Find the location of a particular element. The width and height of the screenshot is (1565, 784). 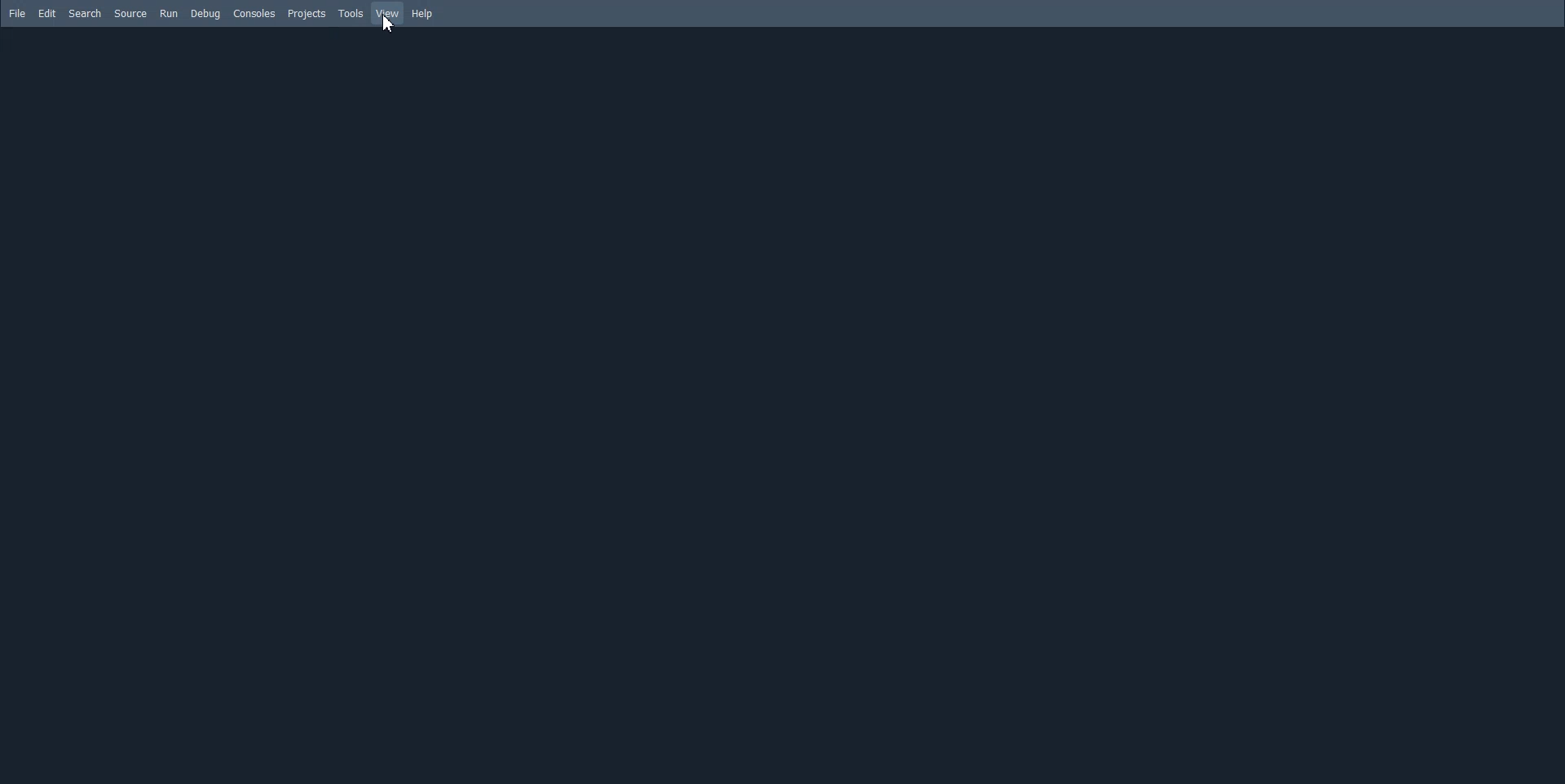

Help is located at coordinates (422, 14).